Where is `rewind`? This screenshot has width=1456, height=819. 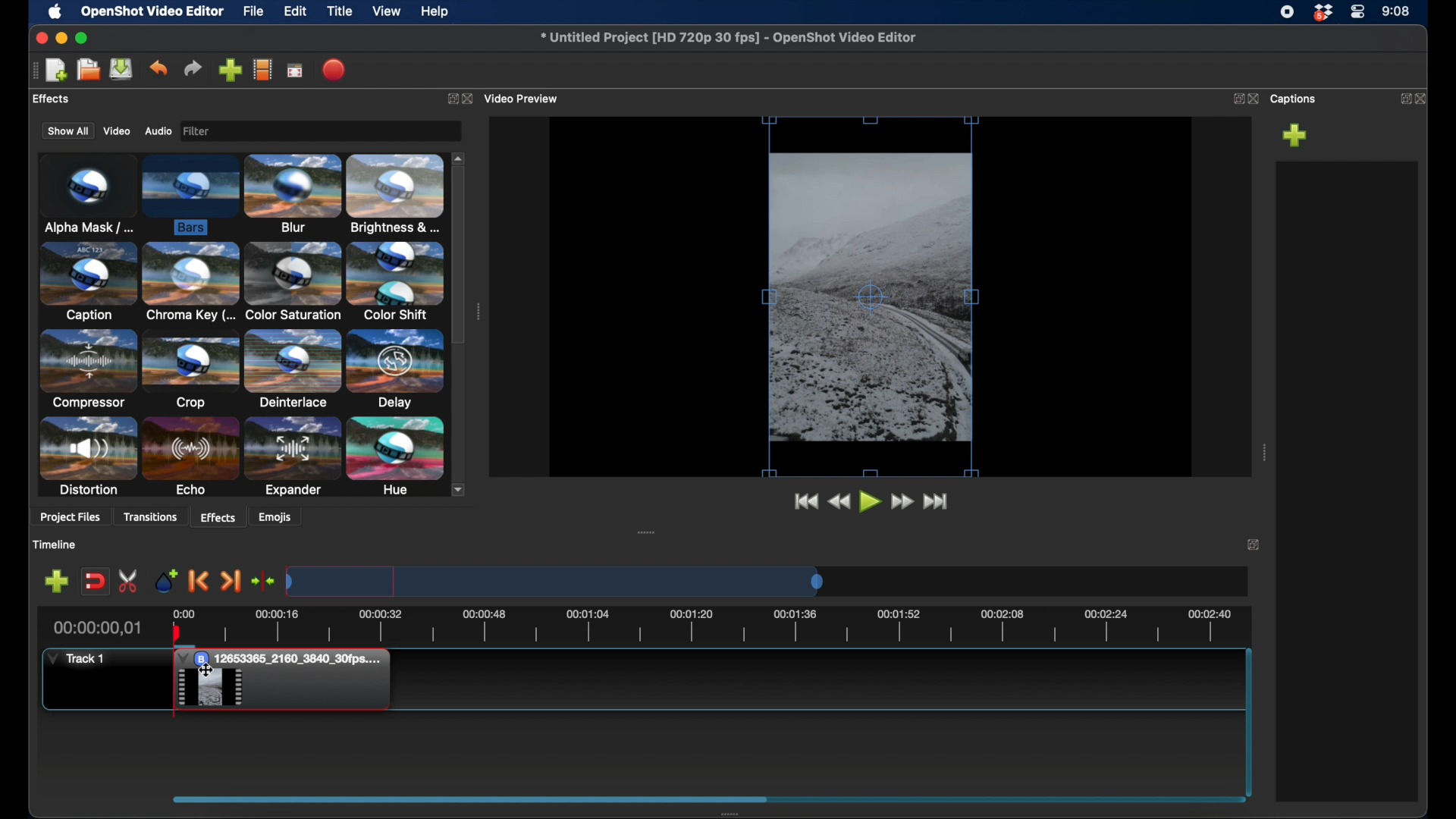 rewind is located at coordinates (839, 501).